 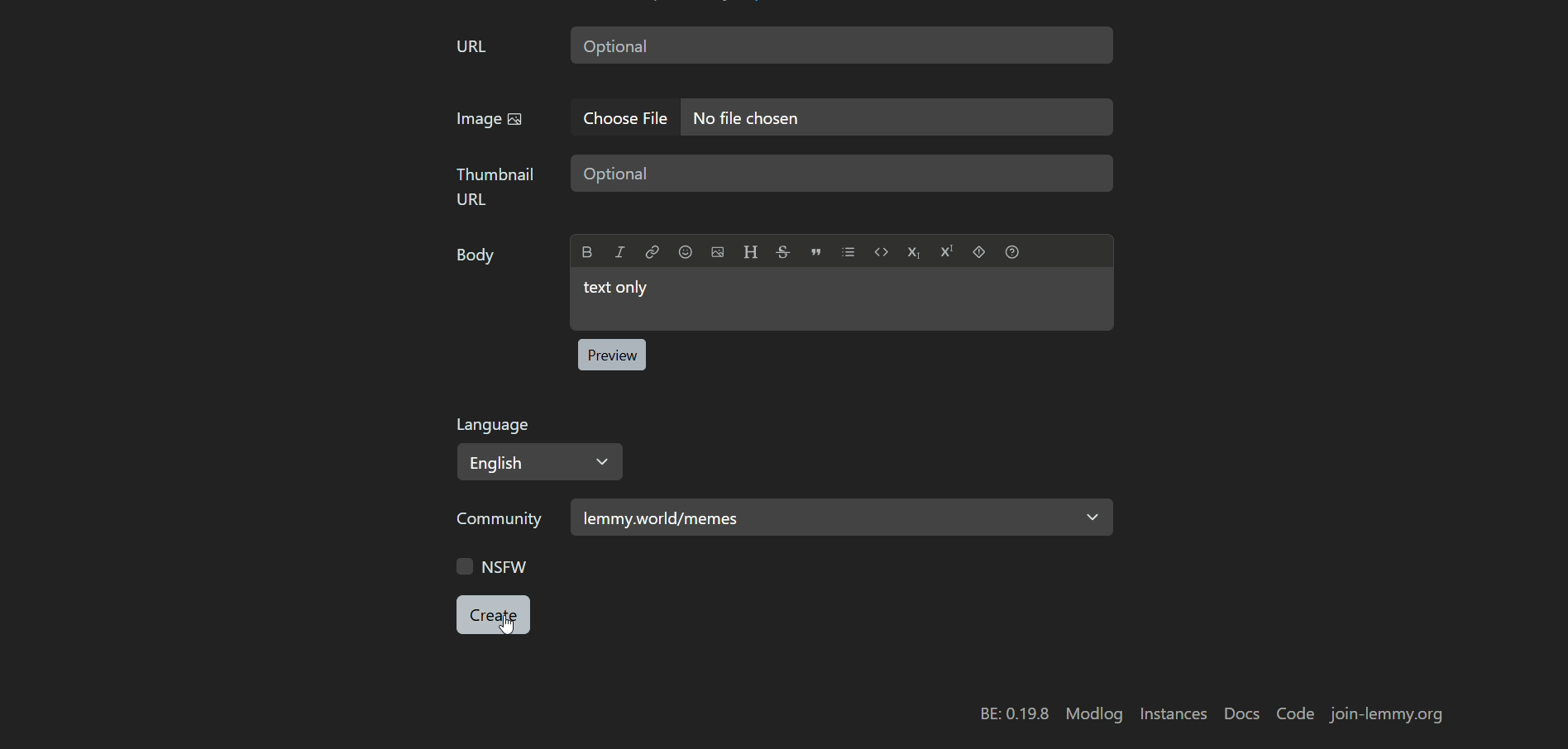 What do you see at coordinates (1242, 715) in the screenshot?
I see `docs` at bounding box center [1242, 715].